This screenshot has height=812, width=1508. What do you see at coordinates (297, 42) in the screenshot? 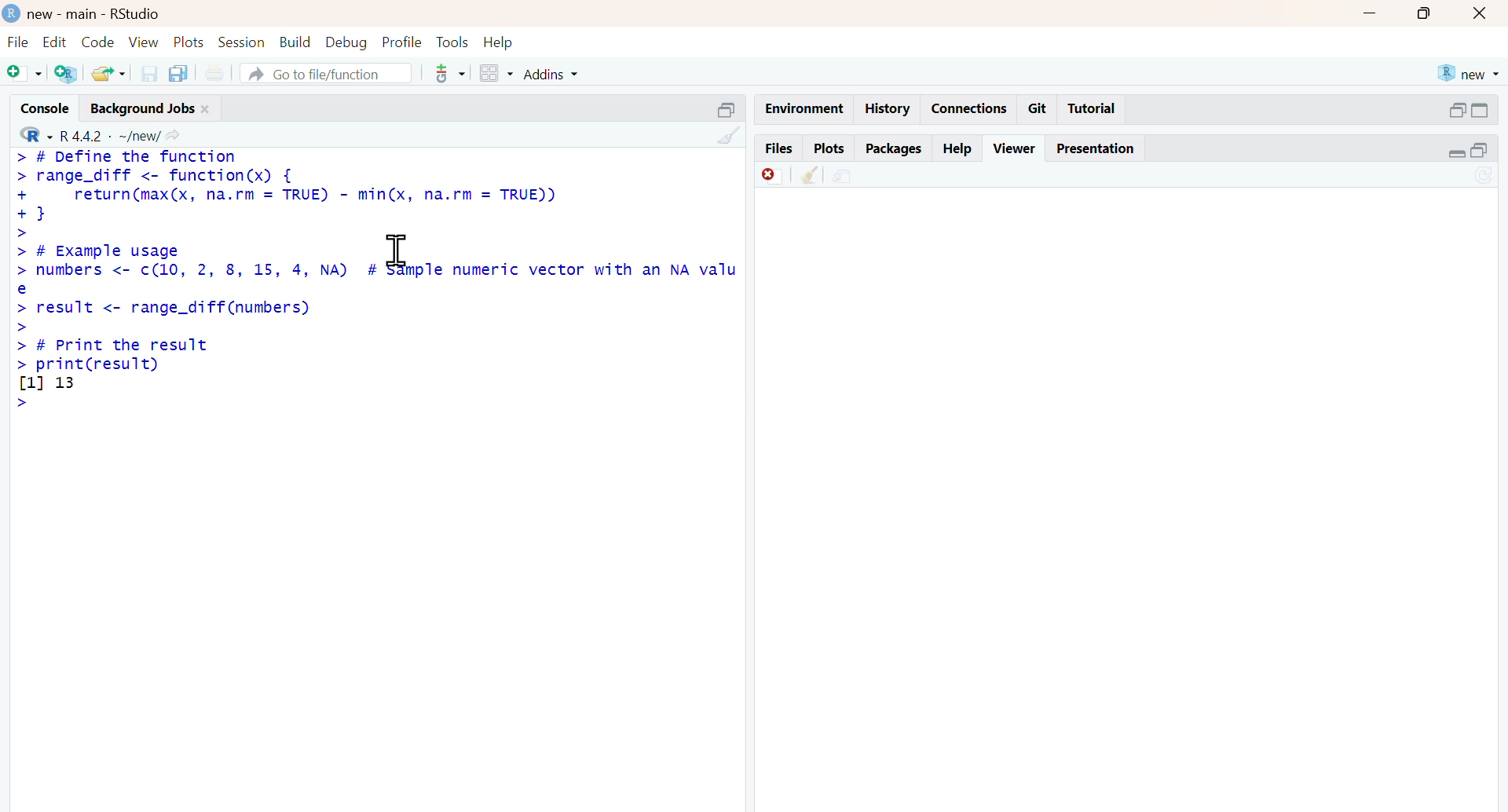
I see `build` at bounding box center [297, 42].